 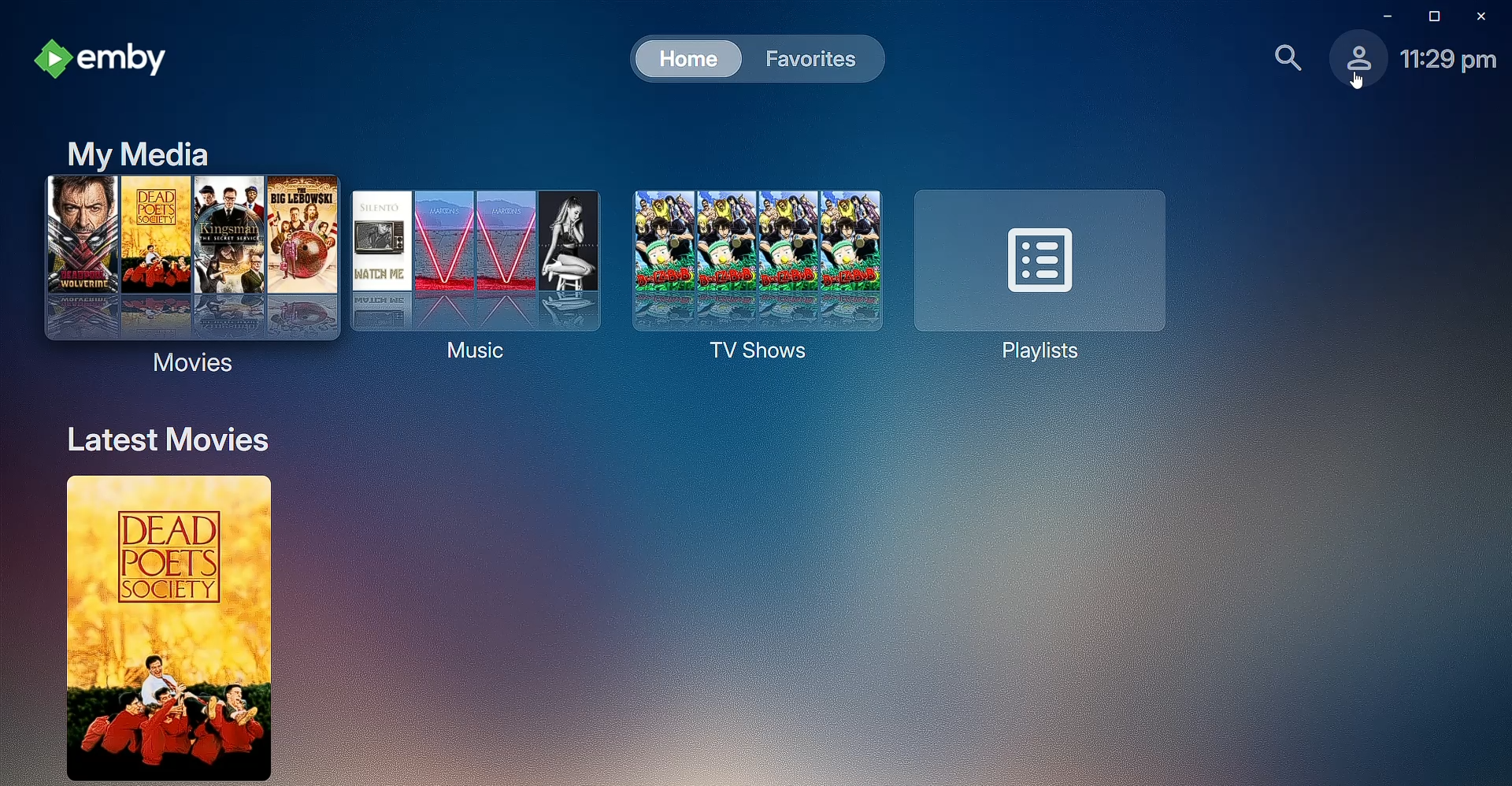 I want to click on Time, so click(x=1448, y=61).